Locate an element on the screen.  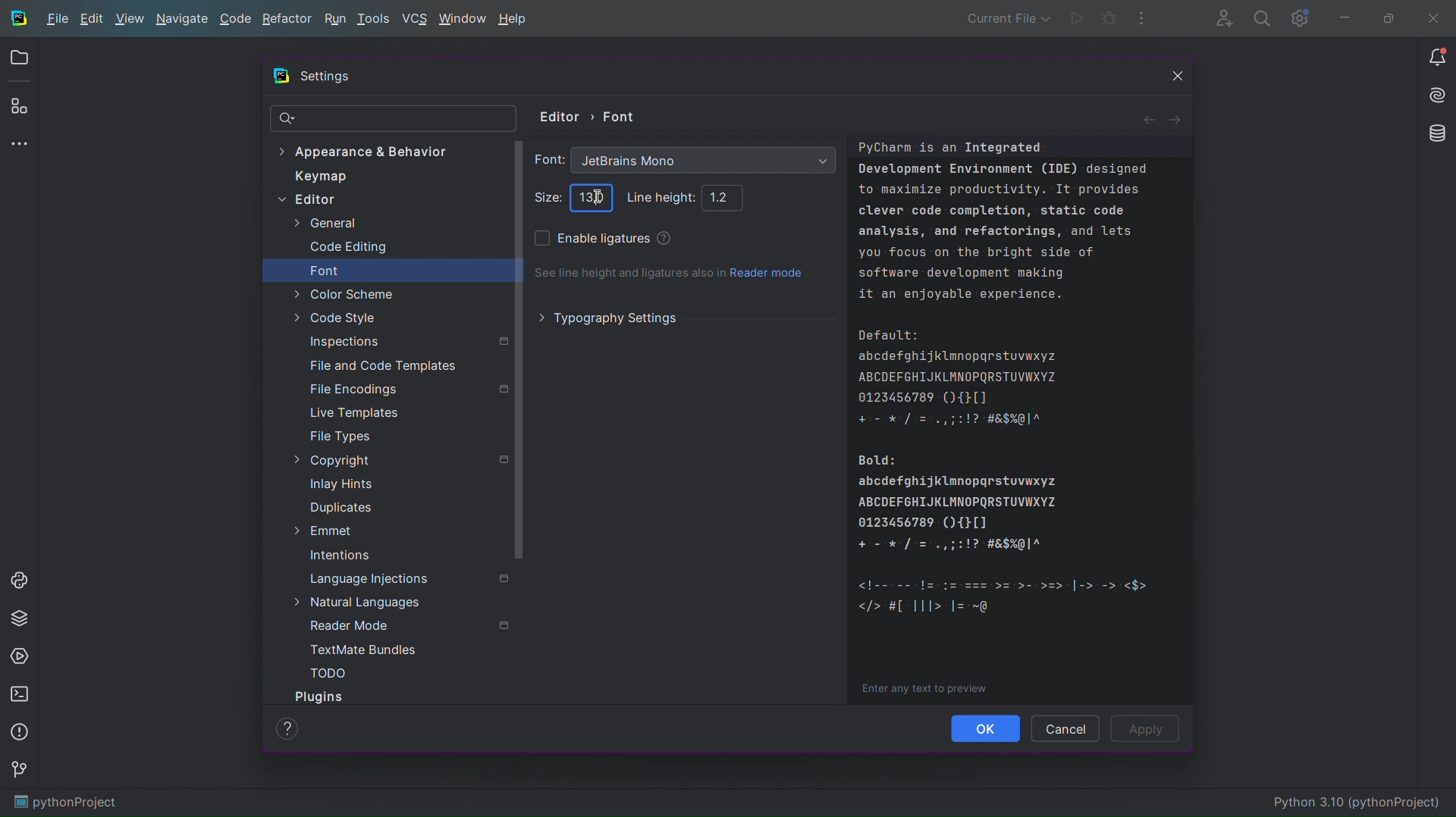
Edit is located at coordinates (90, 20).